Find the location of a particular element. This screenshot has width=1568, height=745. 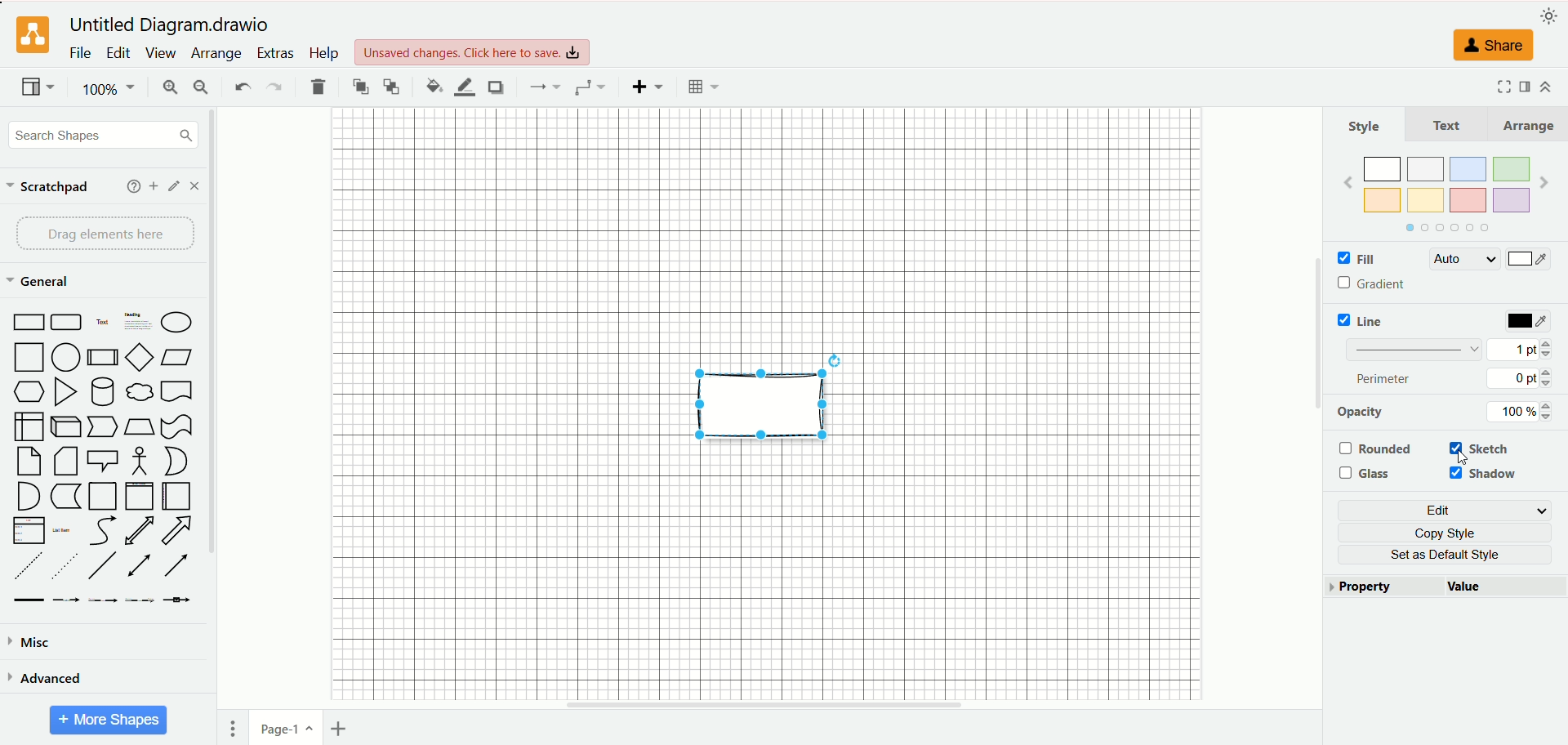

colors is located at coordinates (1445, 185).